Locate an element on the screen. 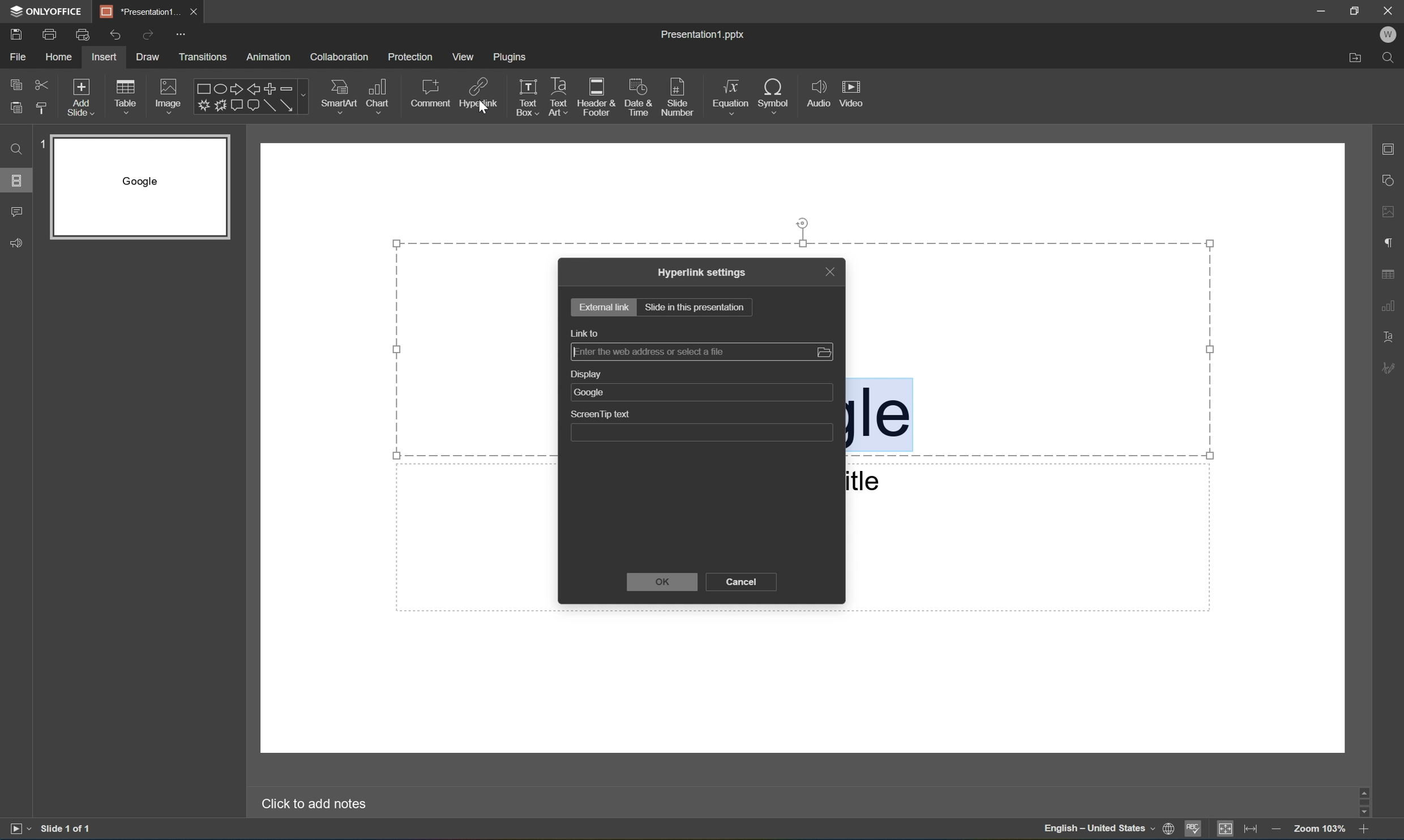 This screenshot has height=840, width=1404. Header and footer is located at coordinates (598, 96).